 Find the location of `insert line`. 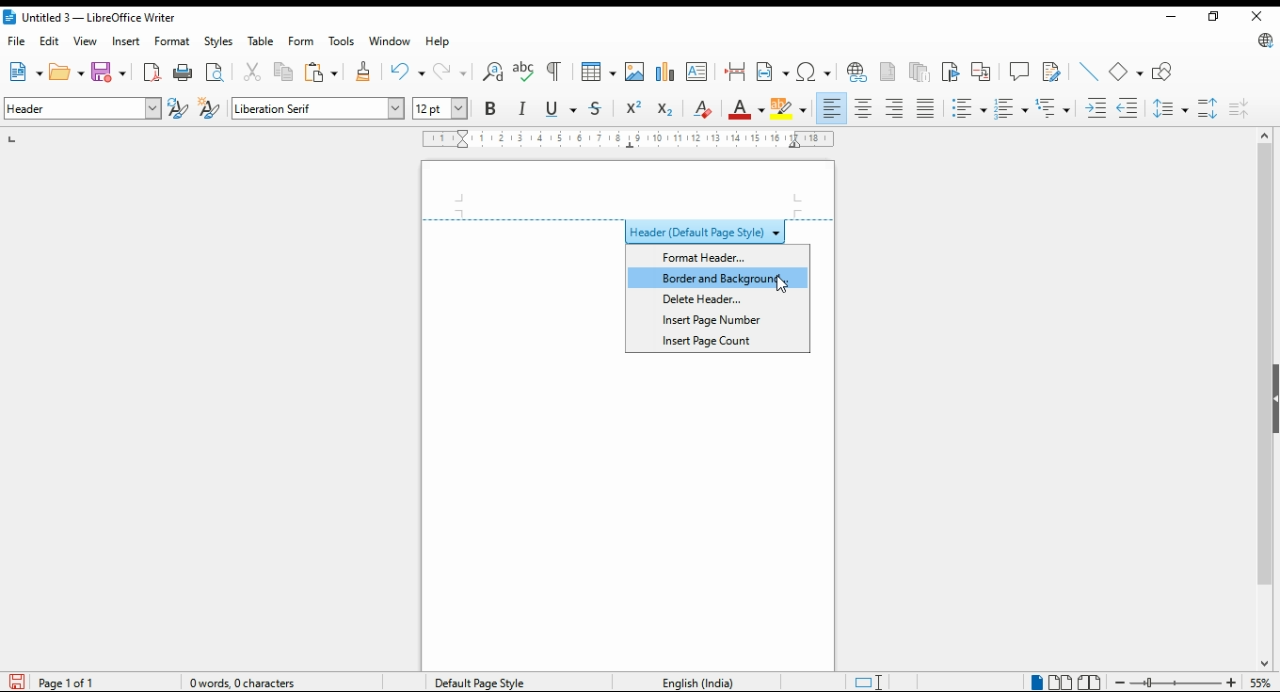

insert line is located at coordinates (1089, 71).